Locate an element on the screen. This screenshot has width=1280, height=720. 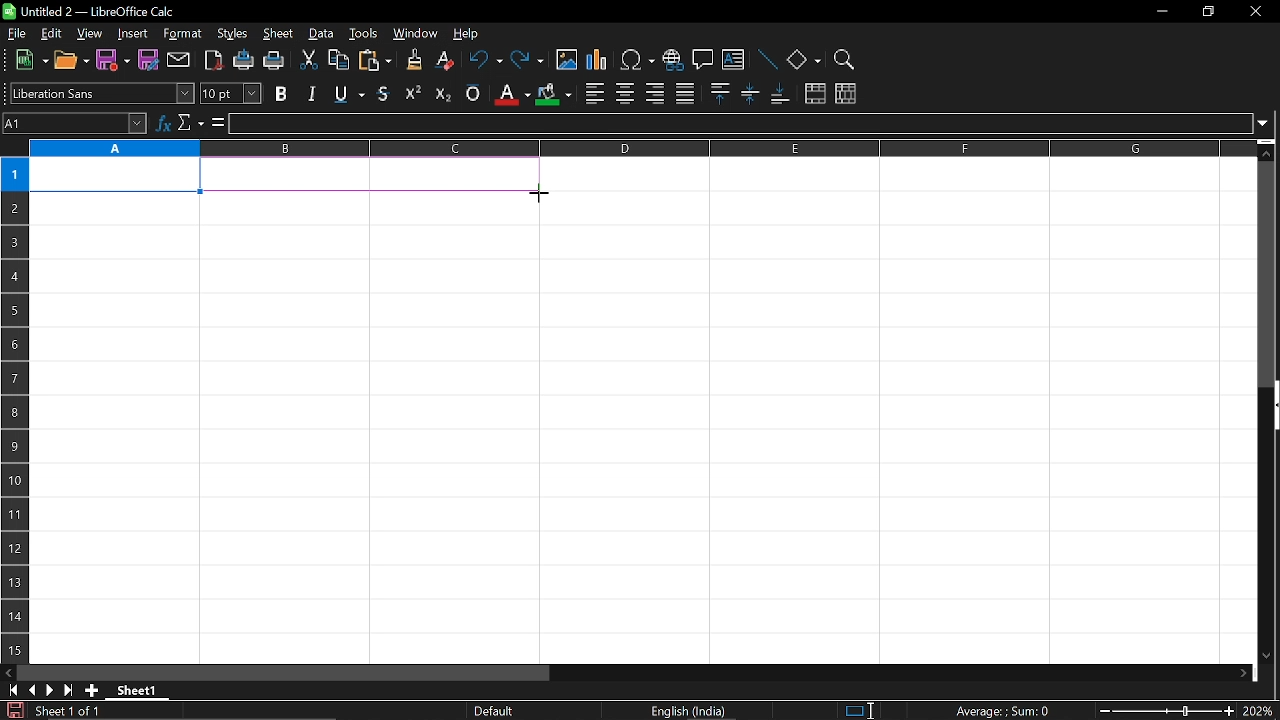
input line is located at coordinates (739, 124).